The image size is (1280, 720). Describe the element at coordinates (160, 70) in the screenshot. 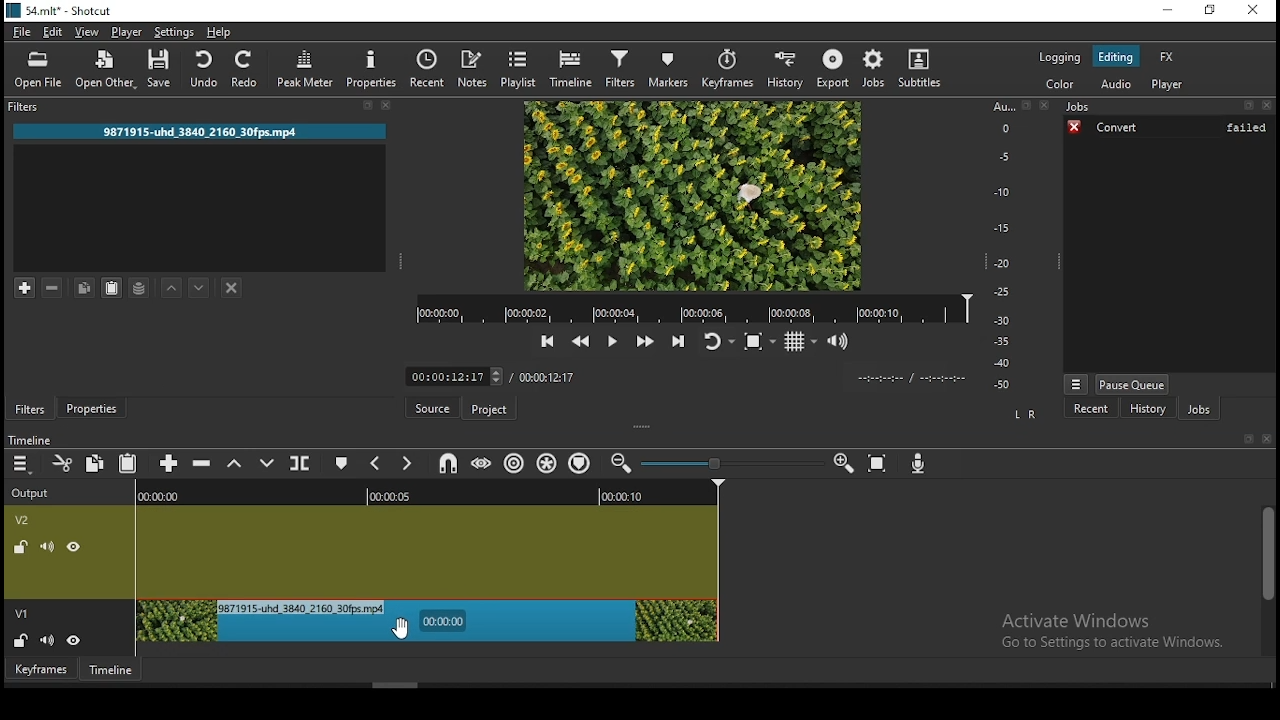

I see `save` at that location.